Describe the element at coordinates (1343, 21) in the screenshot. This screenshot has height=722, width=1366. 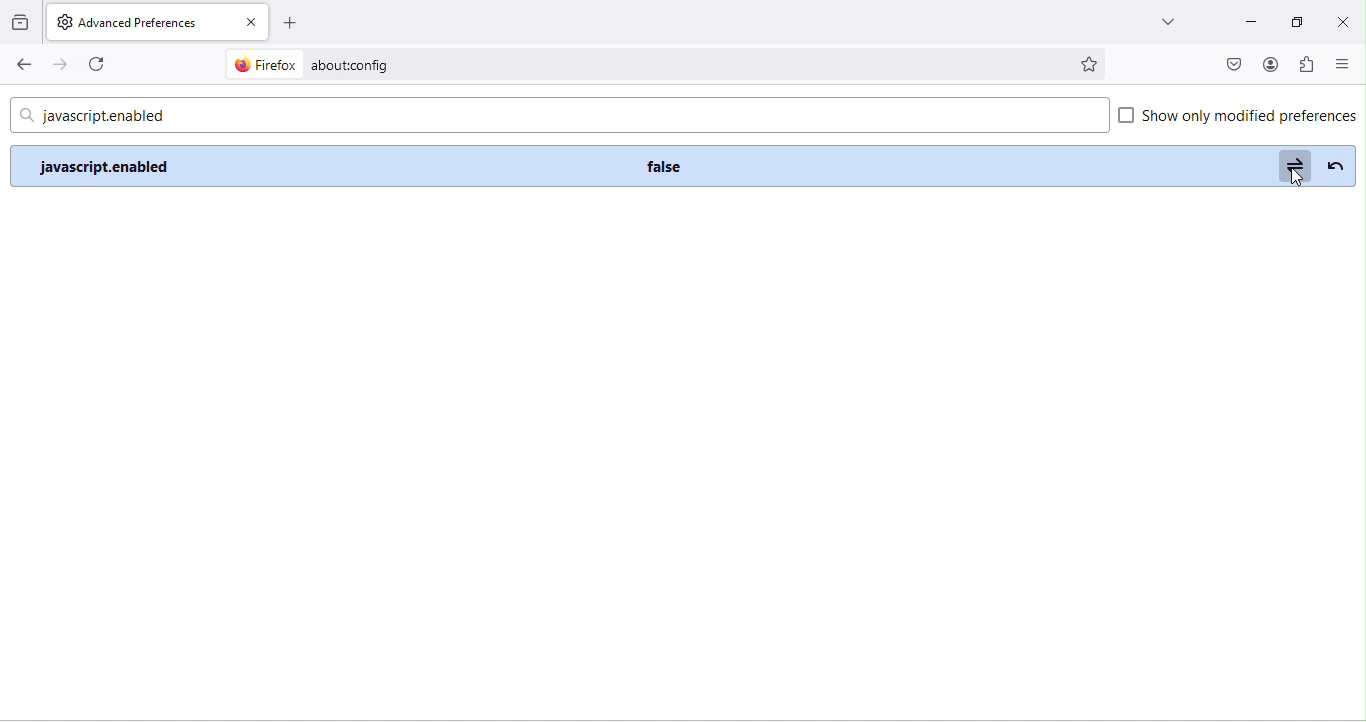
I see `close` at that location.